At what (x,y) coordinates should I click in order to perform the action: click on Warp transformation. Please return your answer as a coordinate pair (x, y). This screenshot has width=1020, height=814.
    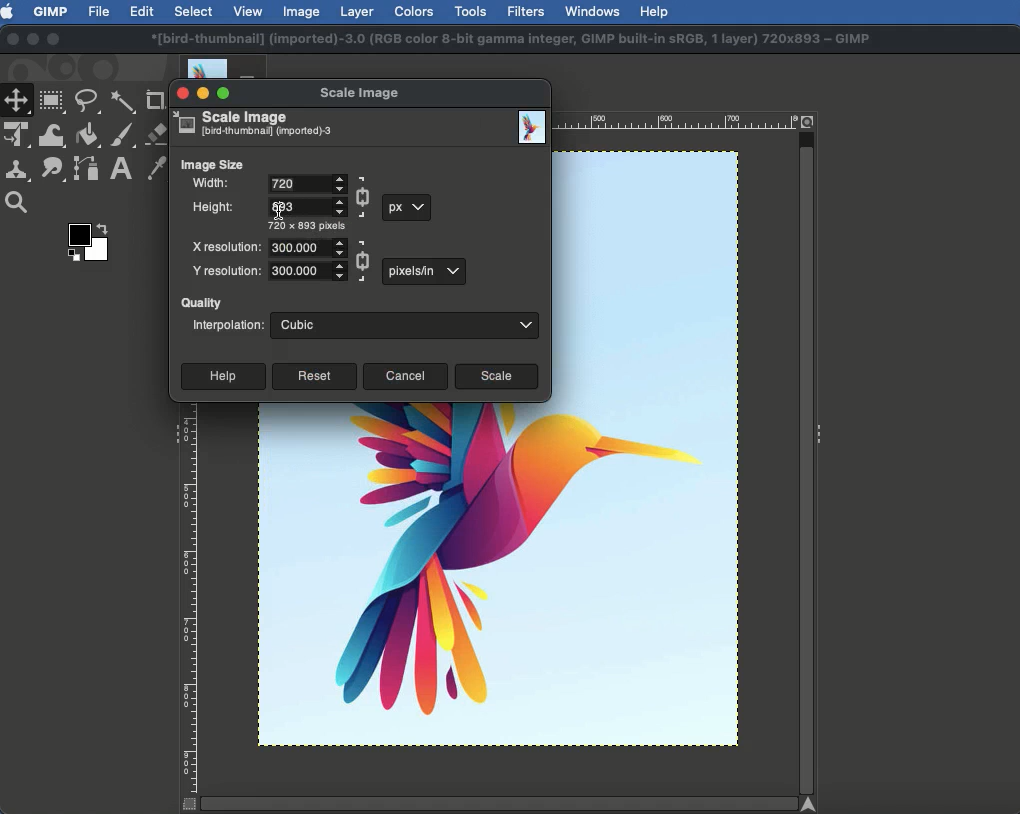
    Looking at the image, I should click on (53, 134).